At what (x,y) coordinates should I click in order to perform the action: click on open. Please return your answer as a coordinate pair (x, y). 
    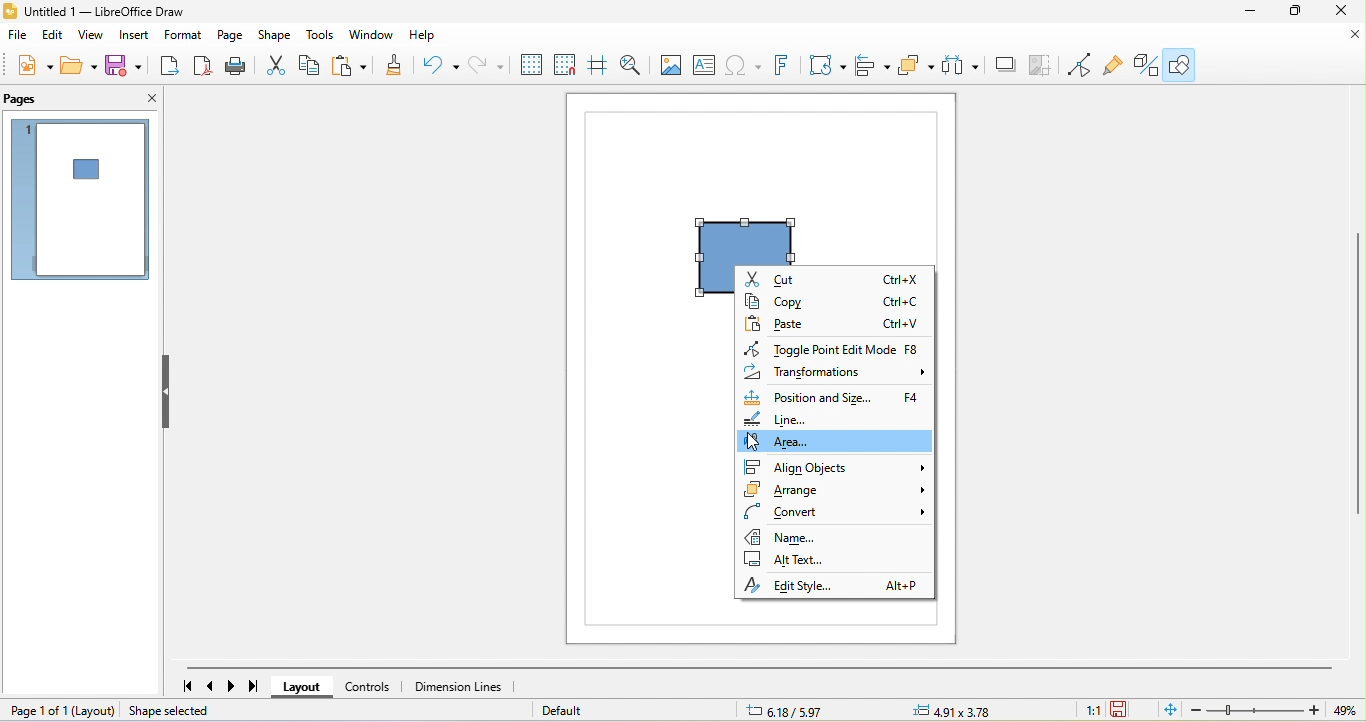
    Looking at the image, I should click on (82, 64).